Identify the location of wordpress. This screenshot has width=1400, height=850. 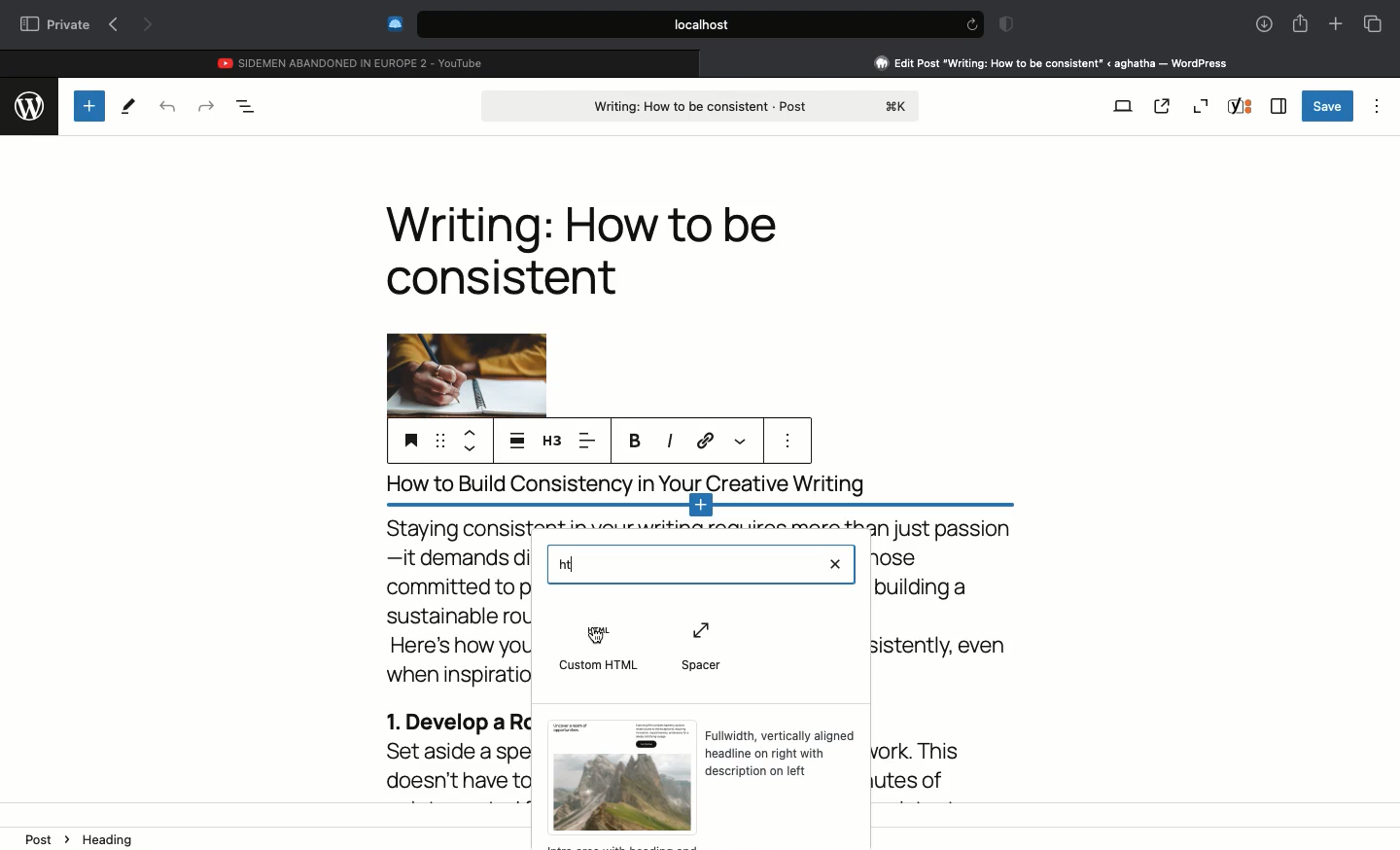
(28, 103).